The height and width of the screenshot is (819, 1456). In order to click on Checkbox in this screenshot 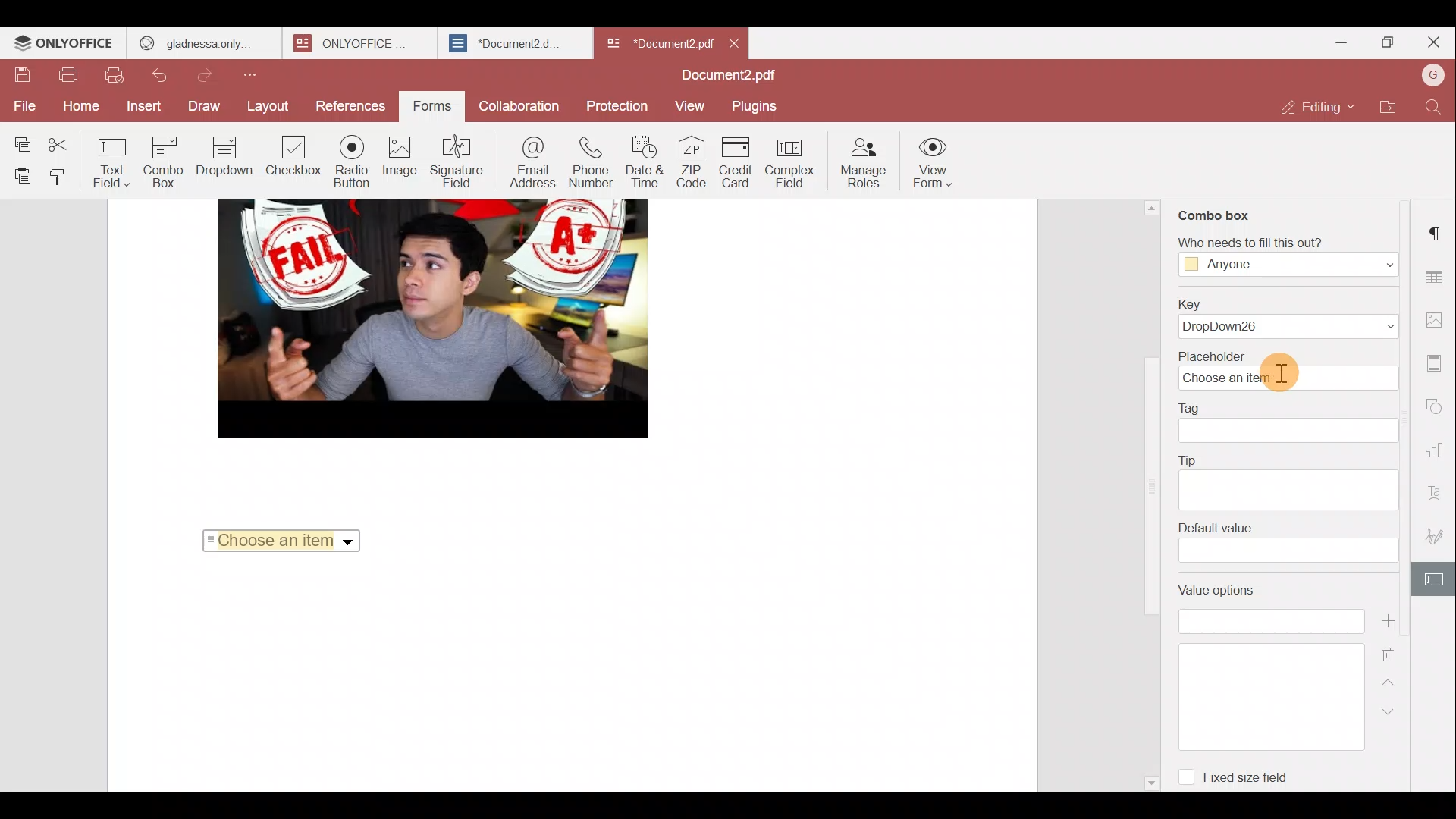, I will do `click(290, 158)`.